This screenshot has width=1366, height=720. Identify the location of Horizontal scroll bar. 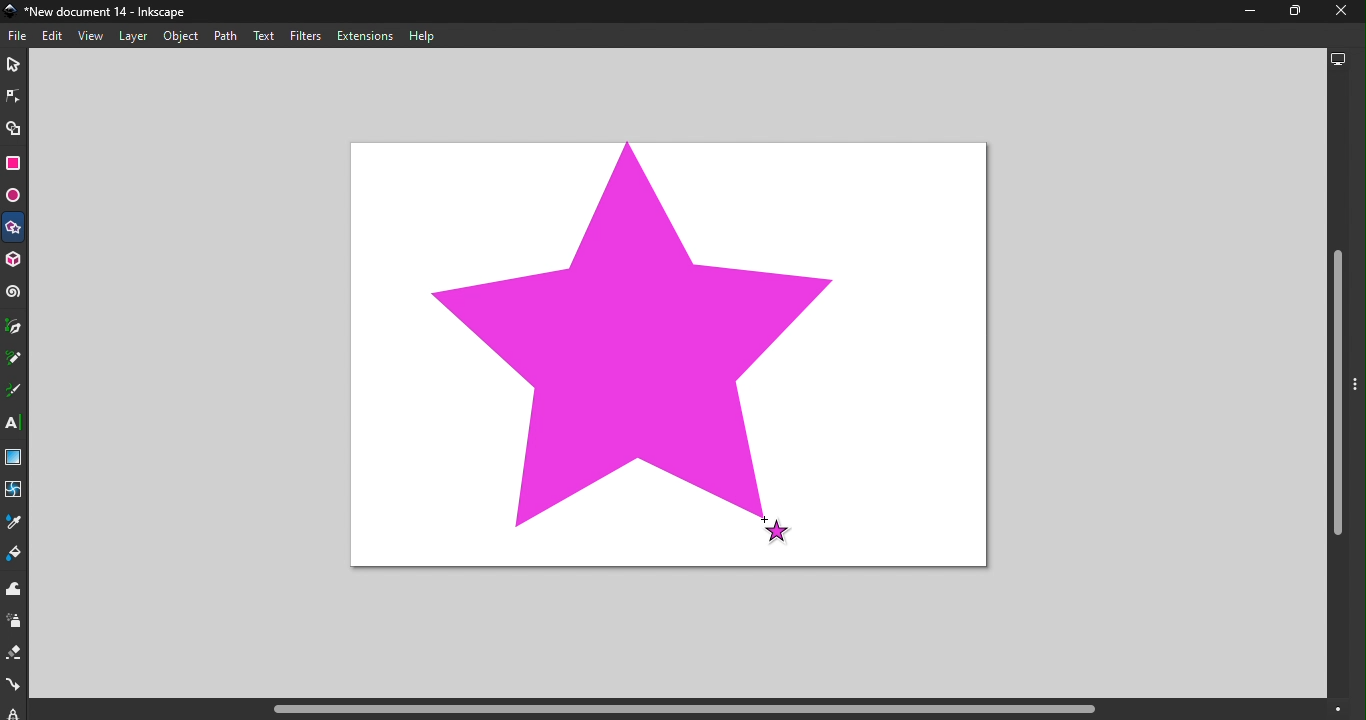
(705, 709).